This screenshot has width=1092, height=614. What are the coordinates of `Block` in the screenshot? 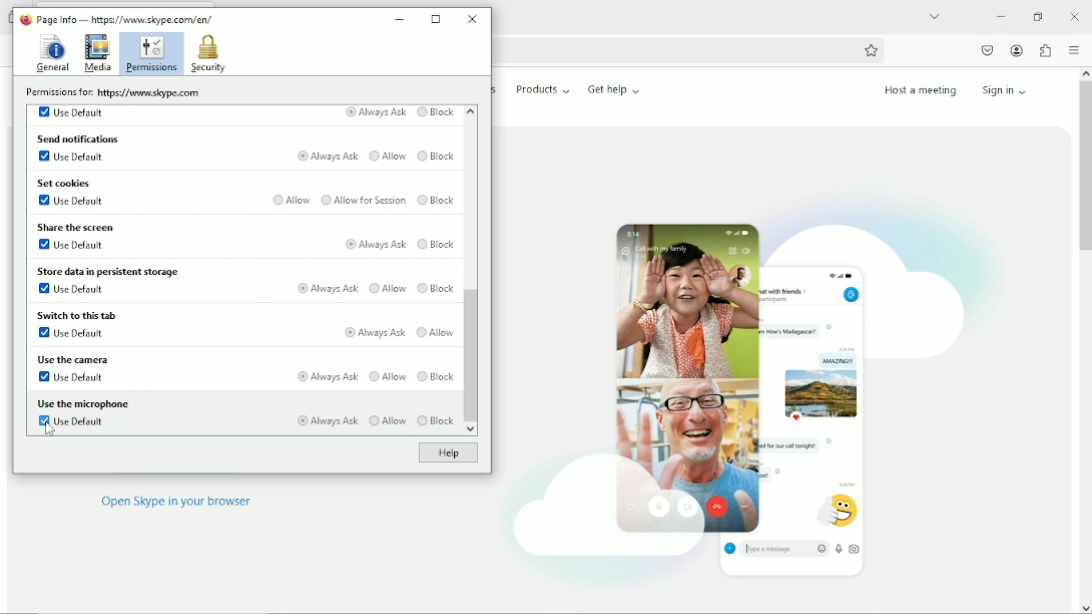 It's located at (436, 421).